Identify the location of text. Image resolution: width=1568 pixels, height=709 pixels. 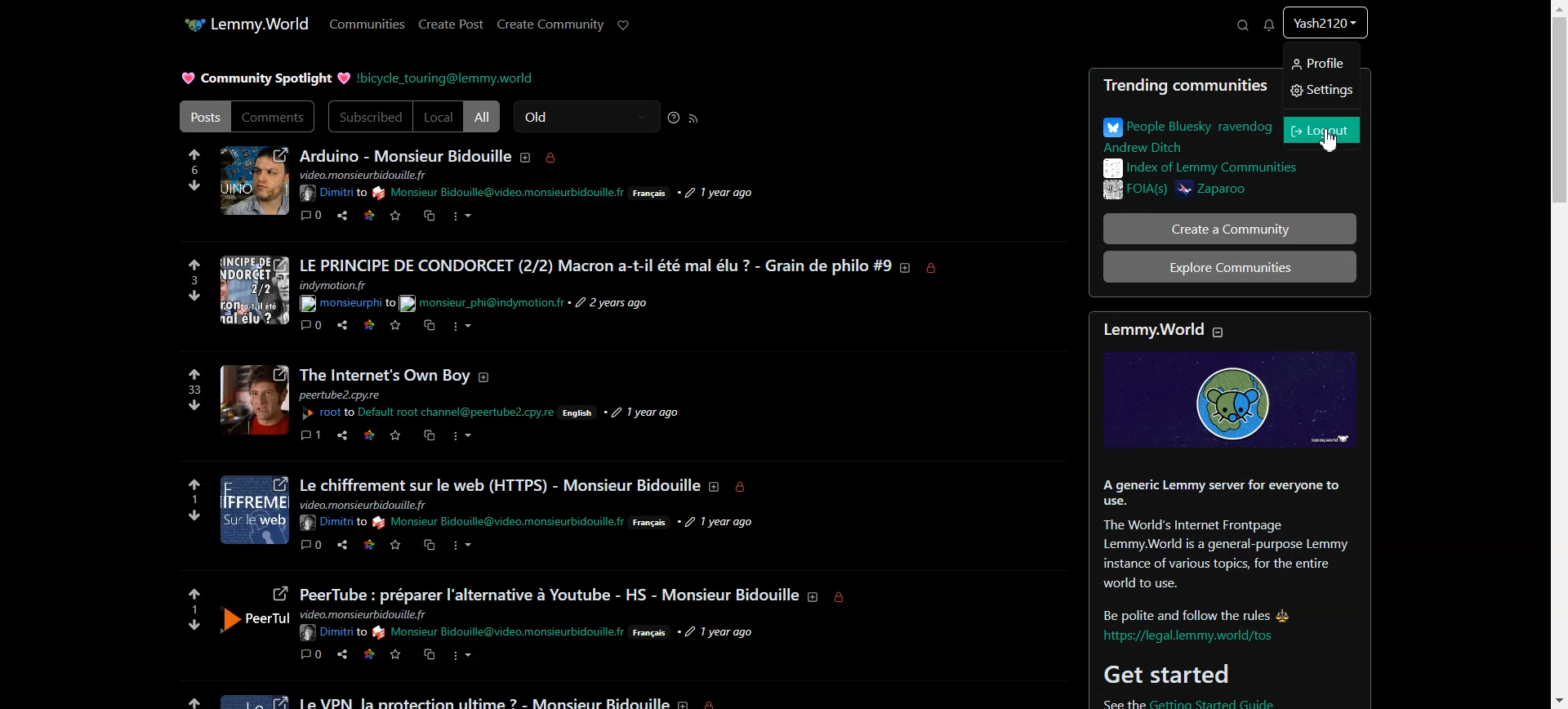
(550, 587).